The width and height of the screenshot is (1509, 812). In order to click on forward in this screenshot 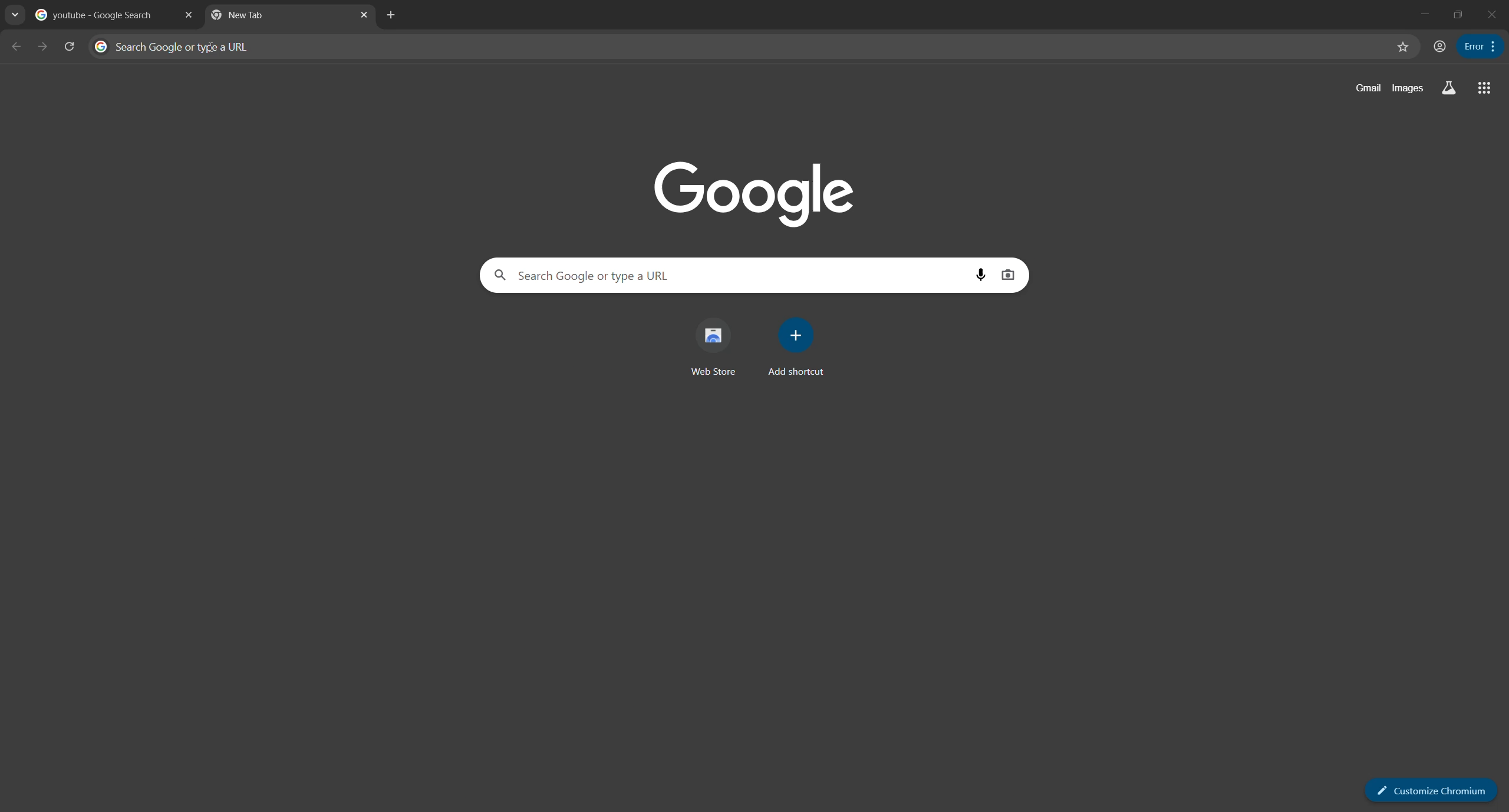, I will do `click(41, 46)`.